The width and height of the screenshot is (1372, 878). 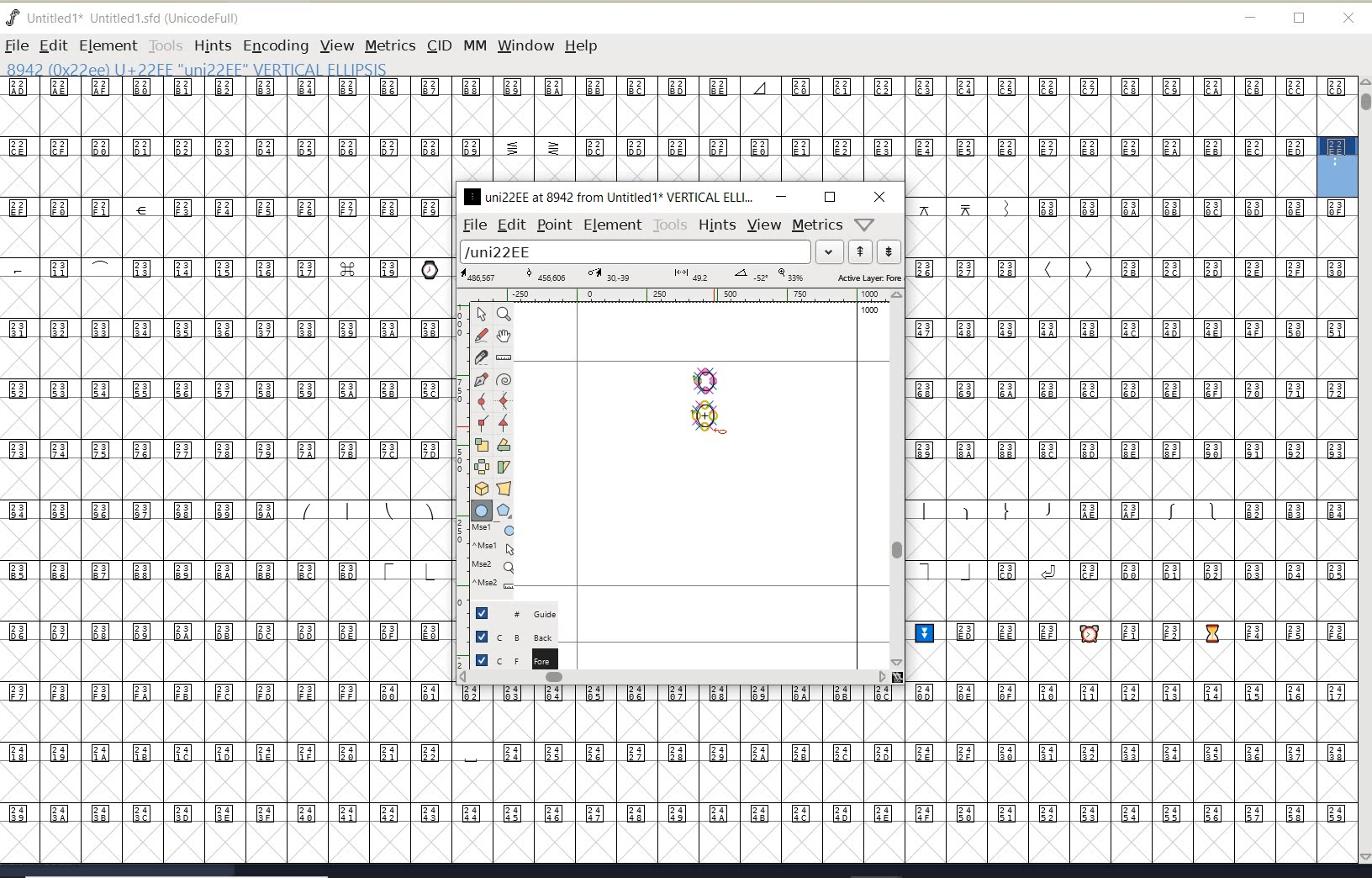 What do you see at coordinates (584, 47) in the screenshot?
I see `help` at bounding box center [584, 47].